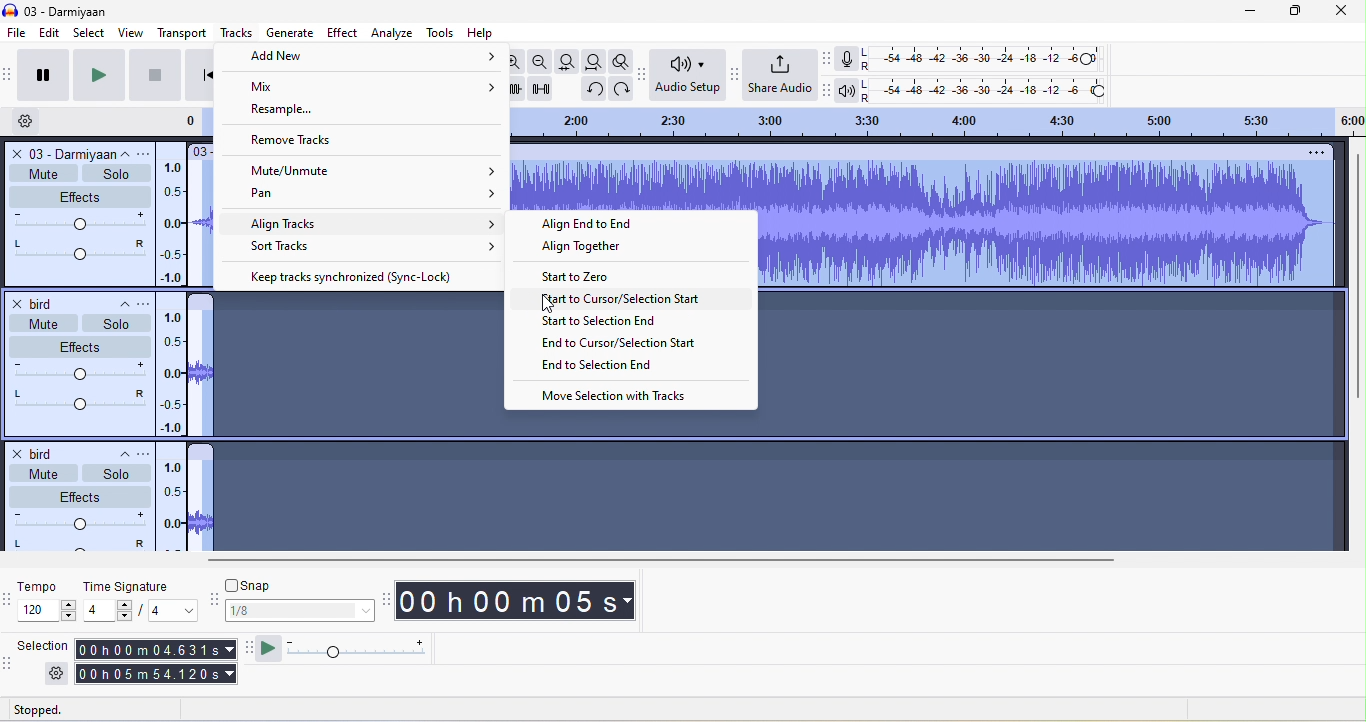 Image resolution: width=1366 pixels, height=722 pixels. What do you see at coordinates (78, 251) in the screenshot?
I see `pan: center` at bounding box center [78, 251].